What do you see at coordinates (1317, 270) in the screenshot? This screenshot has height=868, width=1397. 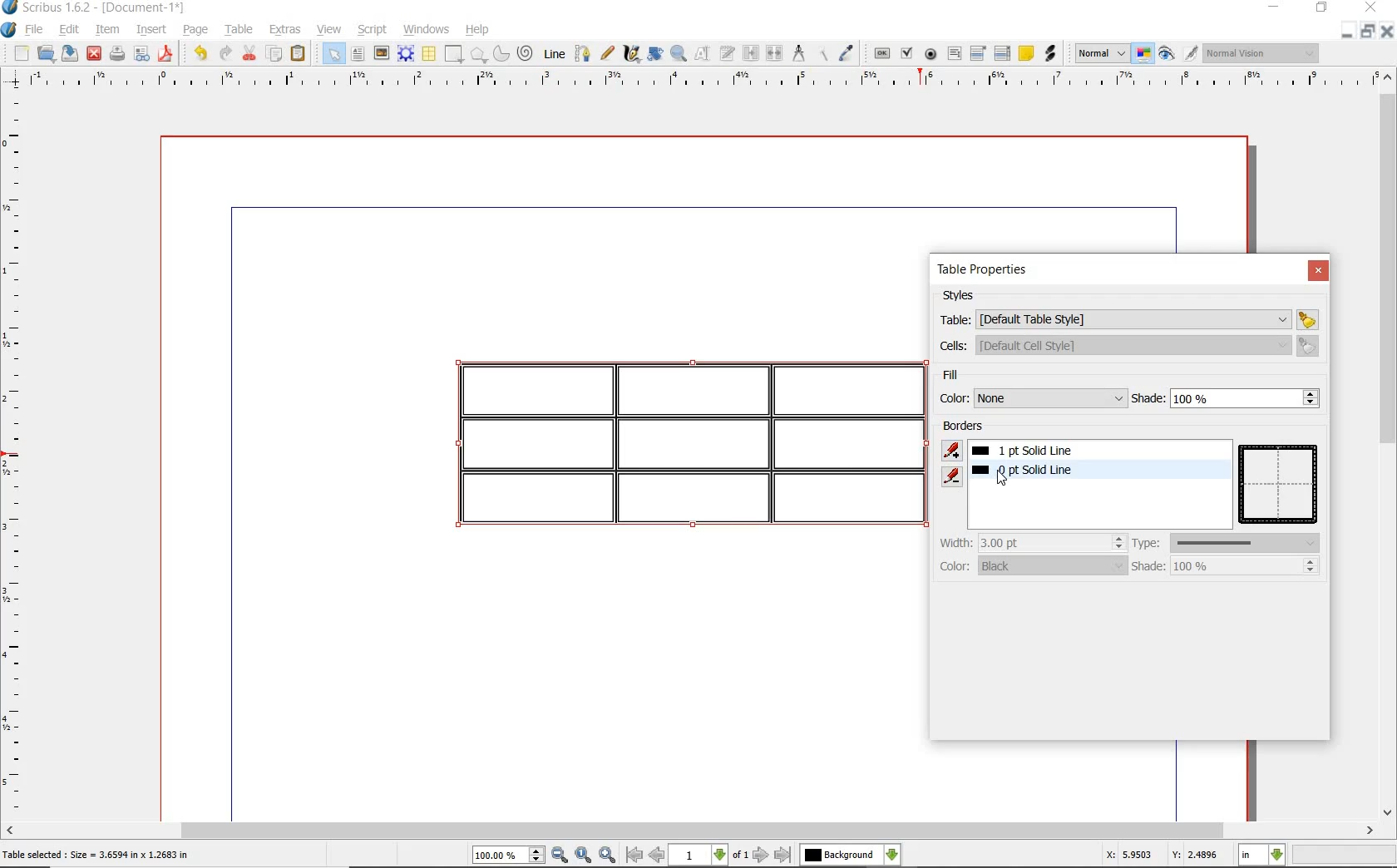 I see `close` at bounding box center [1317, 270].